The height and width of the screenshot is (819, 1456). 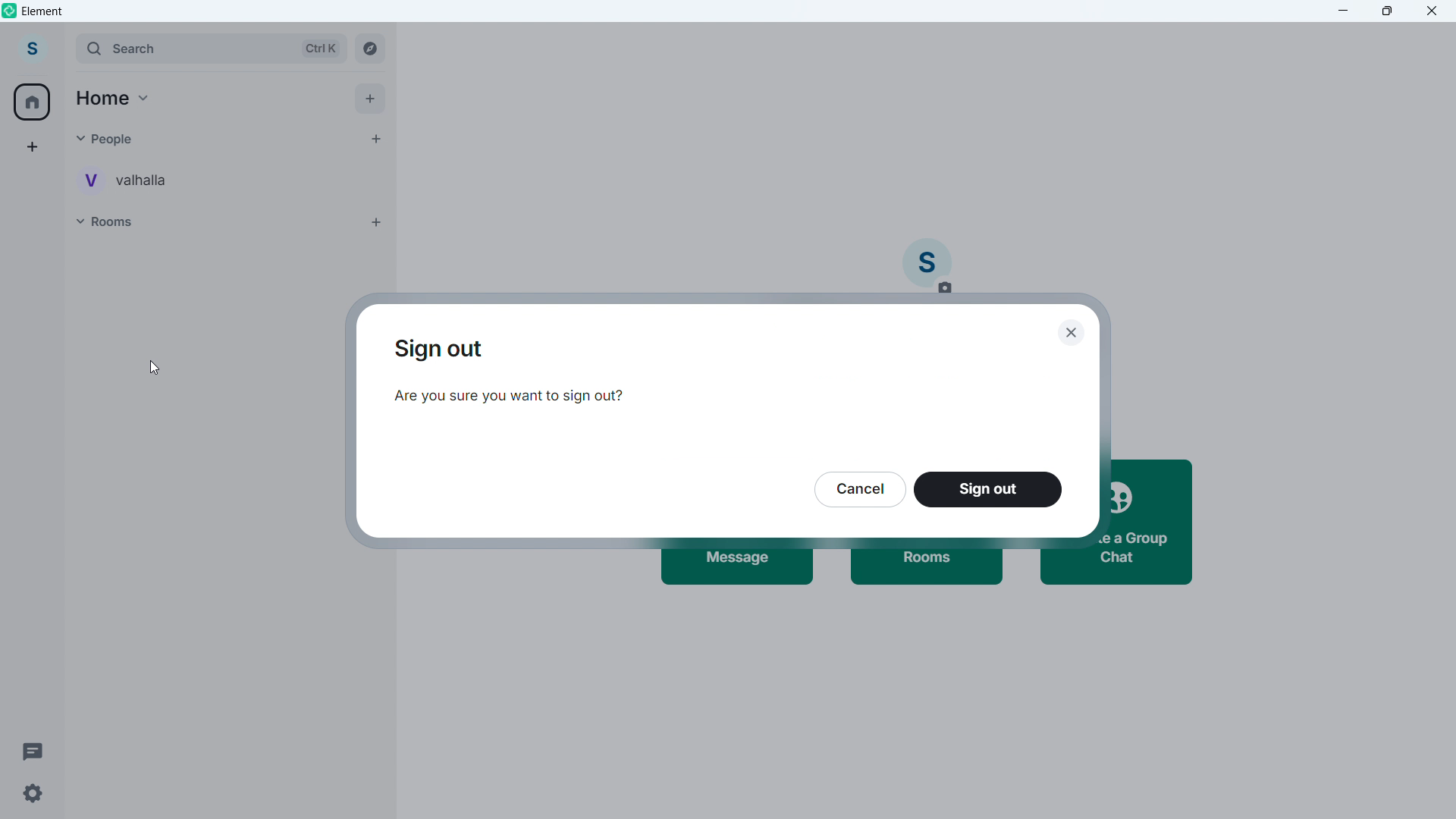 I want to click on Cancel , so click(x=860, y=488).